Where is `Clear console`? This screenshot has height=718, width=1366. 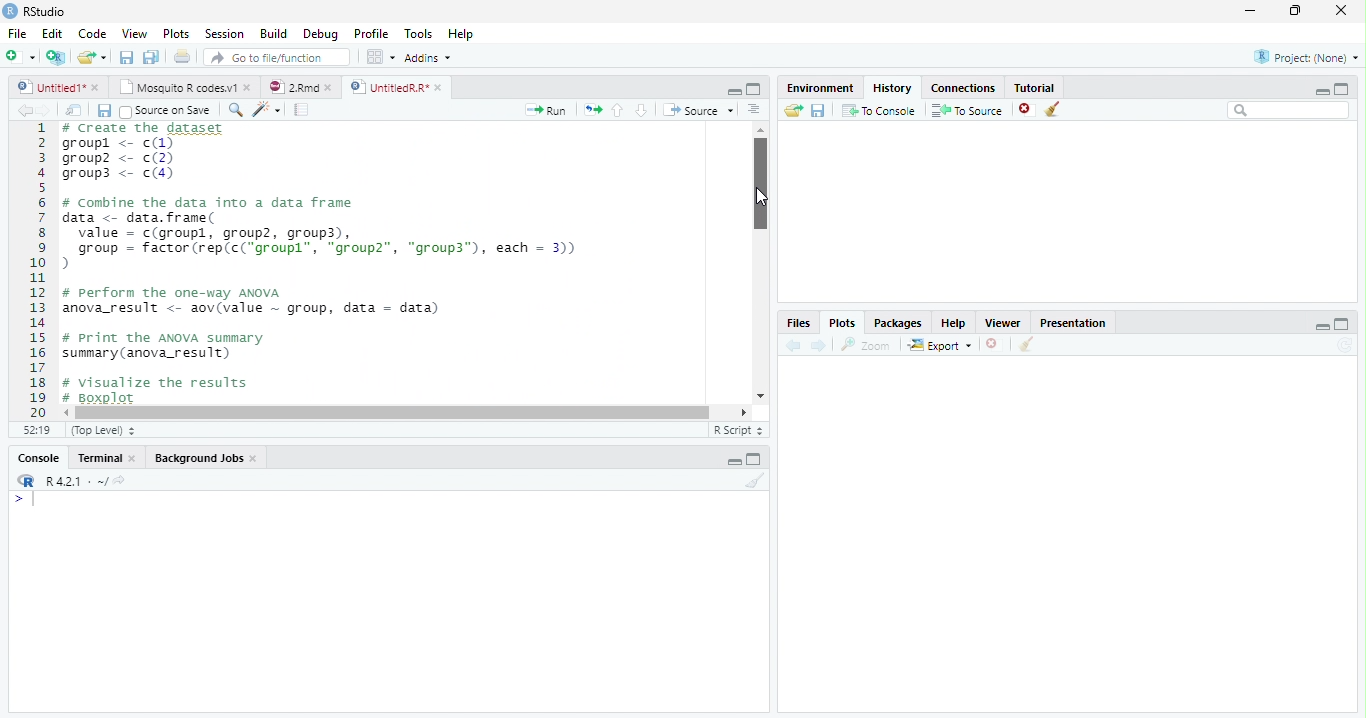 Clear console is located at coordinates (759, 483).